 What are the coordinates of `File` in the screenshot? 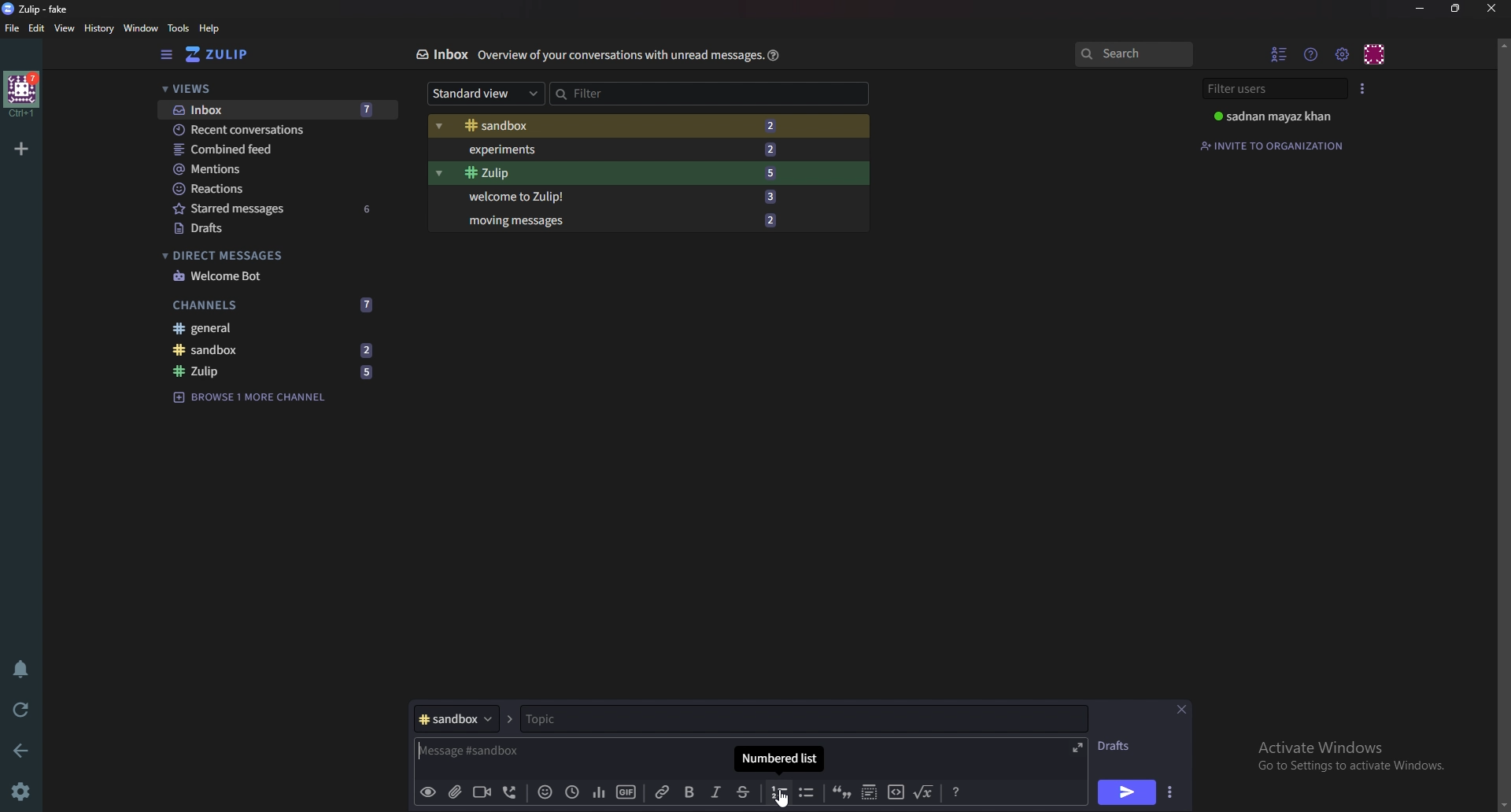 It's located at (13, 29).